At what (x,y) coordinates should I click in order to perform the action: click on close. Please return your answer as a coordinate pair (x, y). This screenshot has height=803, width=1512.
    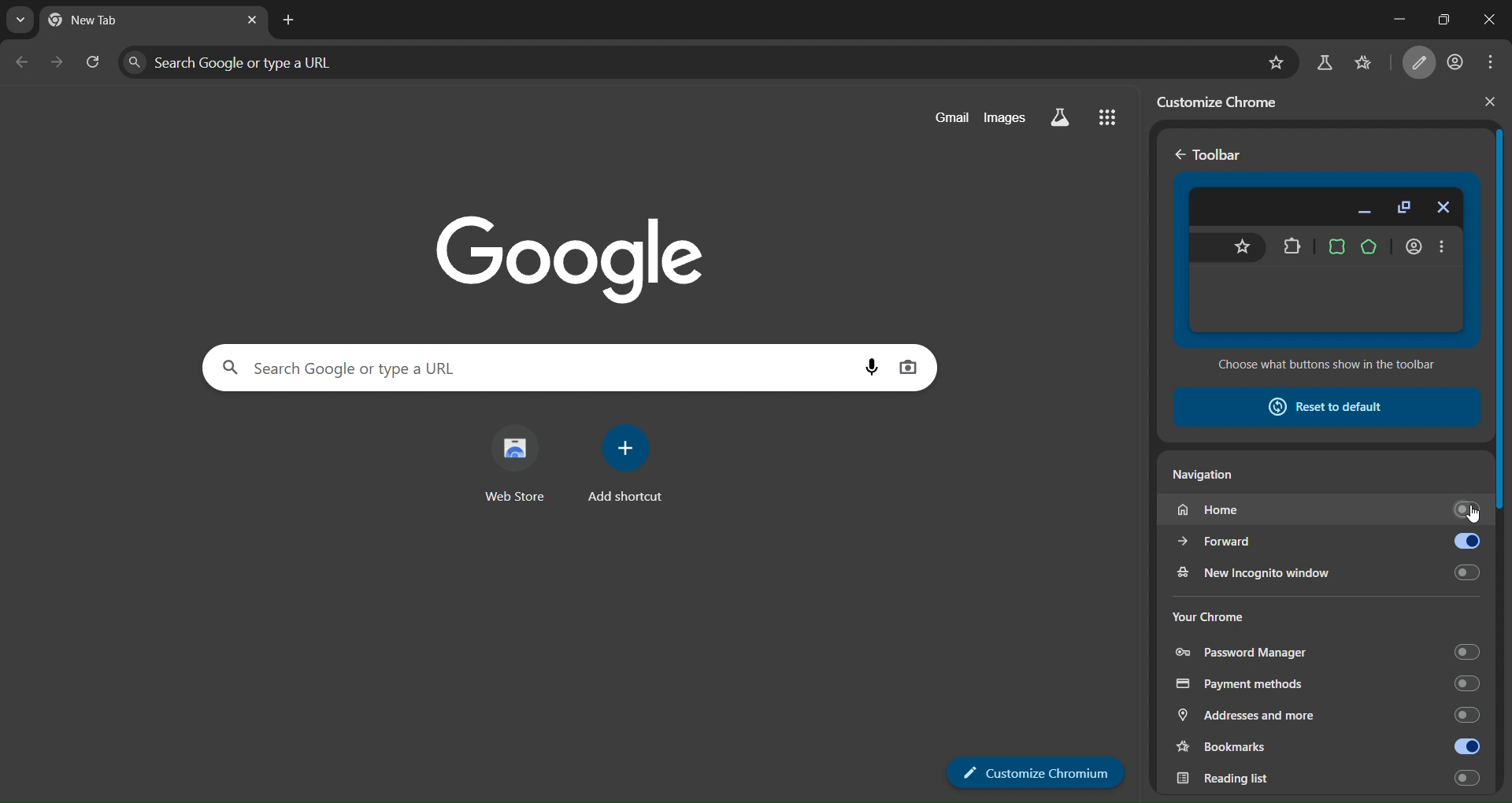
    Looking at the image, I should click on (1490, 102).